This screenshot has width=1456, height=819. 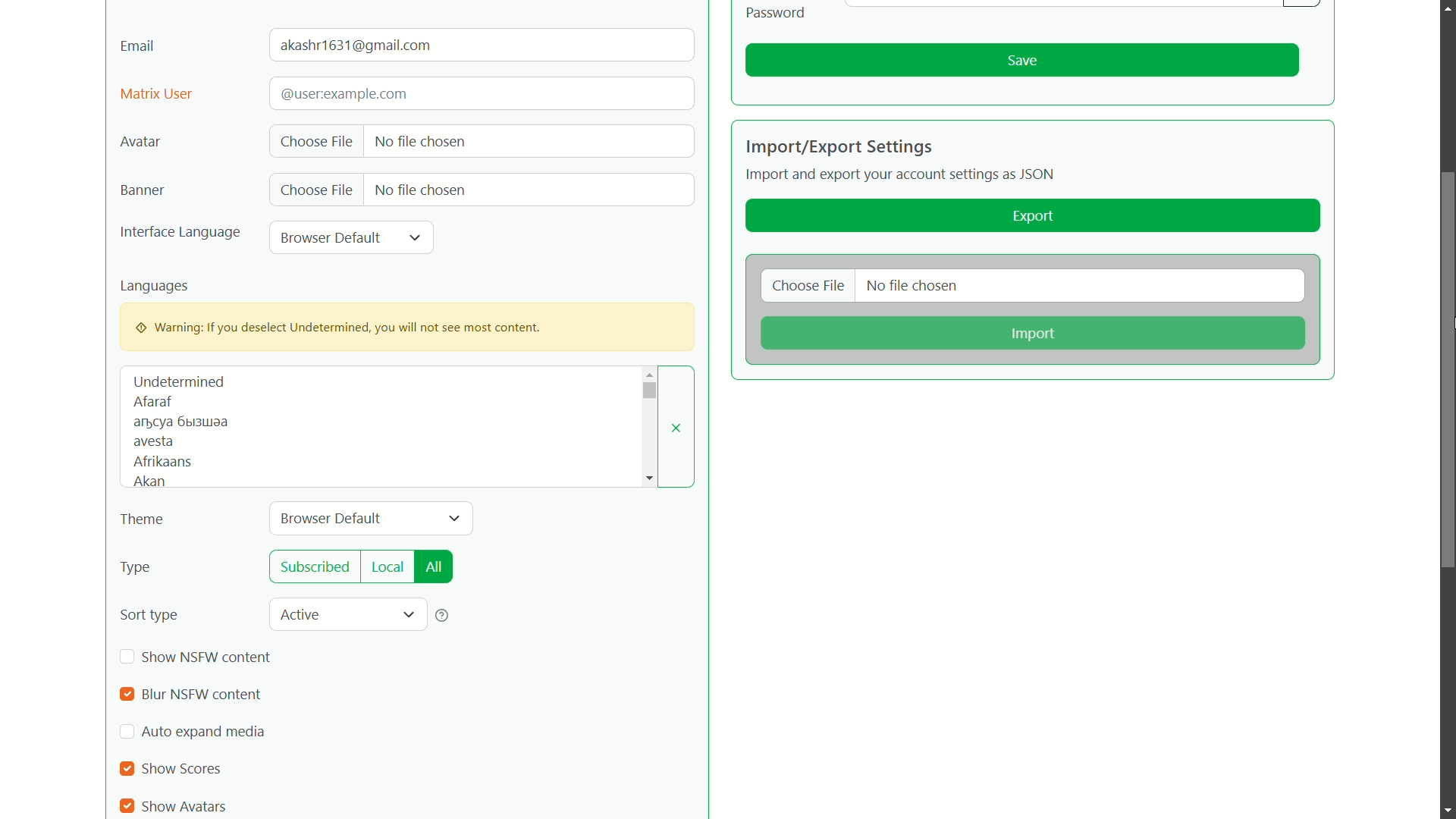 What do you see at coordinates (153, 443) in the screenshot?
I see `avesta` at bounding box center [153, 443].